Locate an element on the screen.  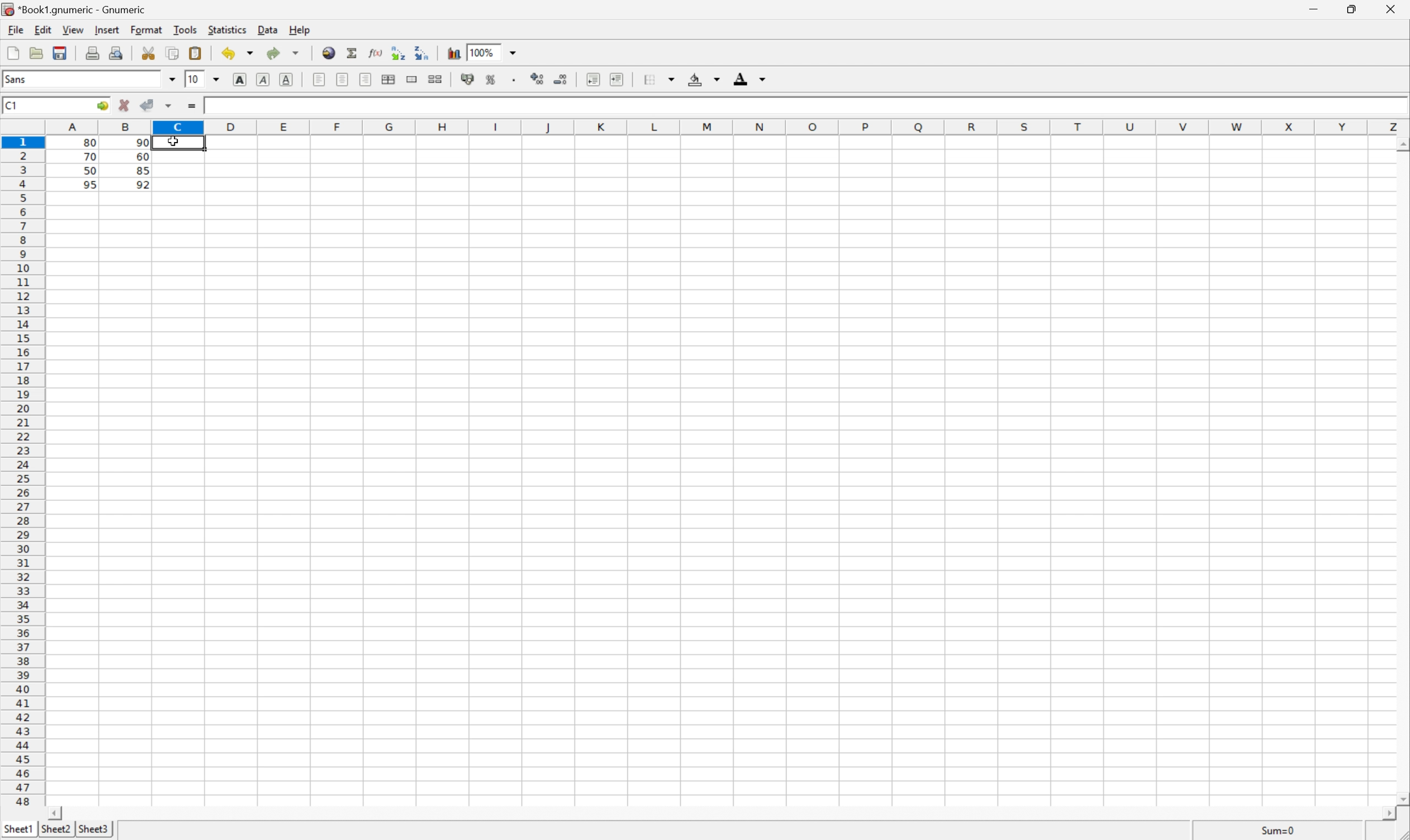
Edit is located at coordinates (42, 31).